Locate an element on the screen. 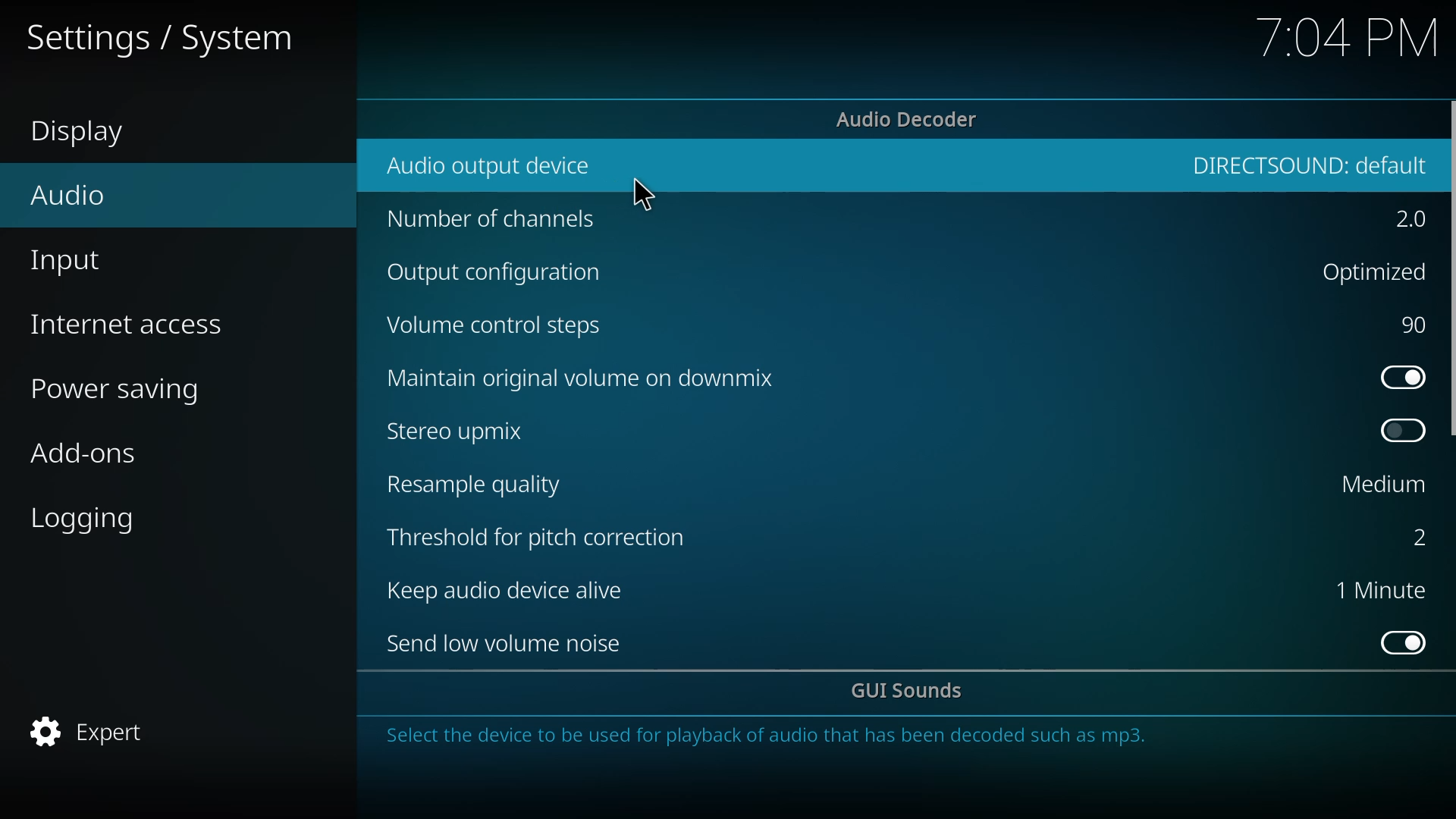  audio is located at coordinates (70, 194).